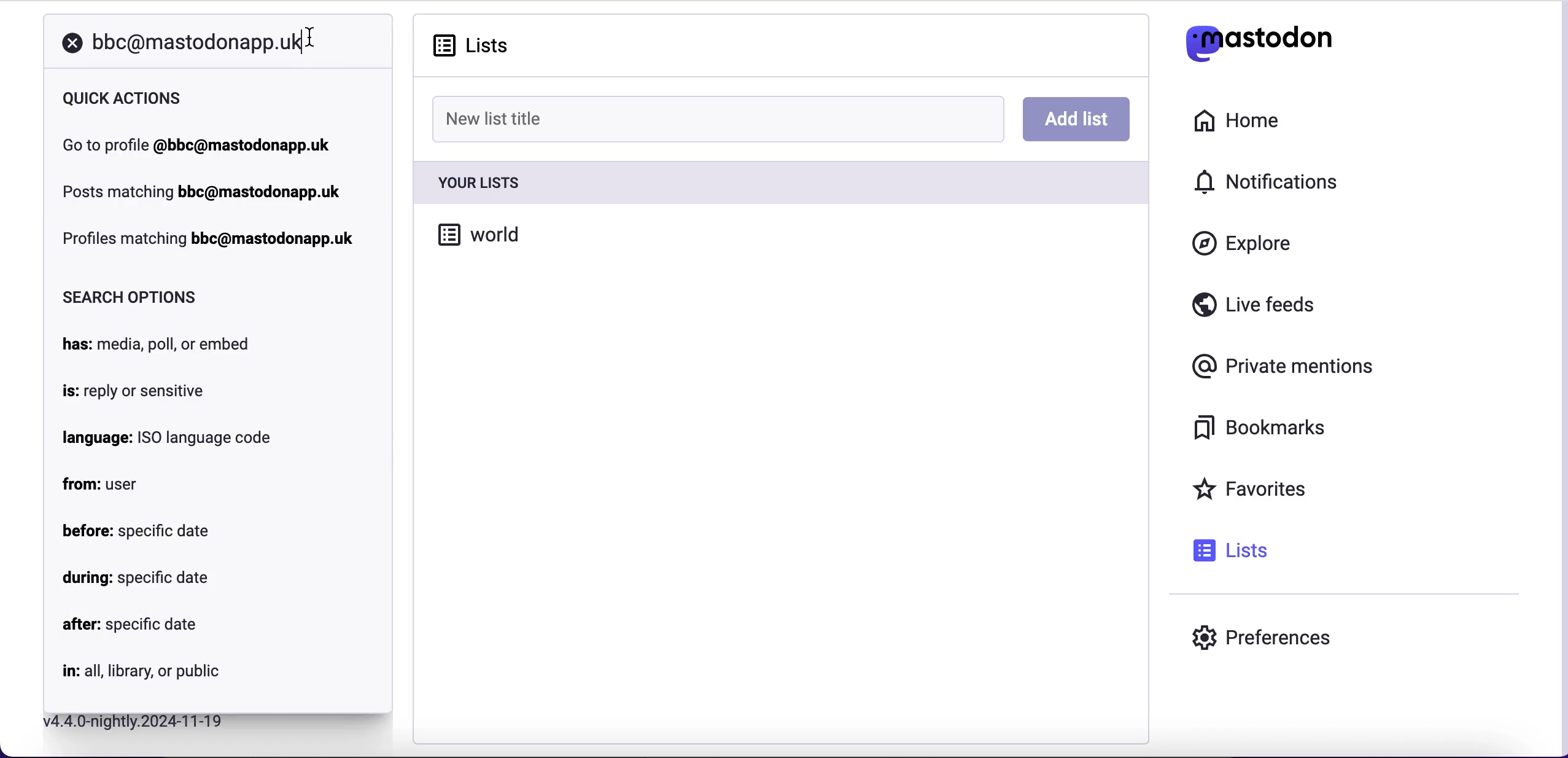 The width and height of the screenshot is (1568, 758). Describe the element at coordinates (778, 181) in the screenshot. I see `your lists` at that location.